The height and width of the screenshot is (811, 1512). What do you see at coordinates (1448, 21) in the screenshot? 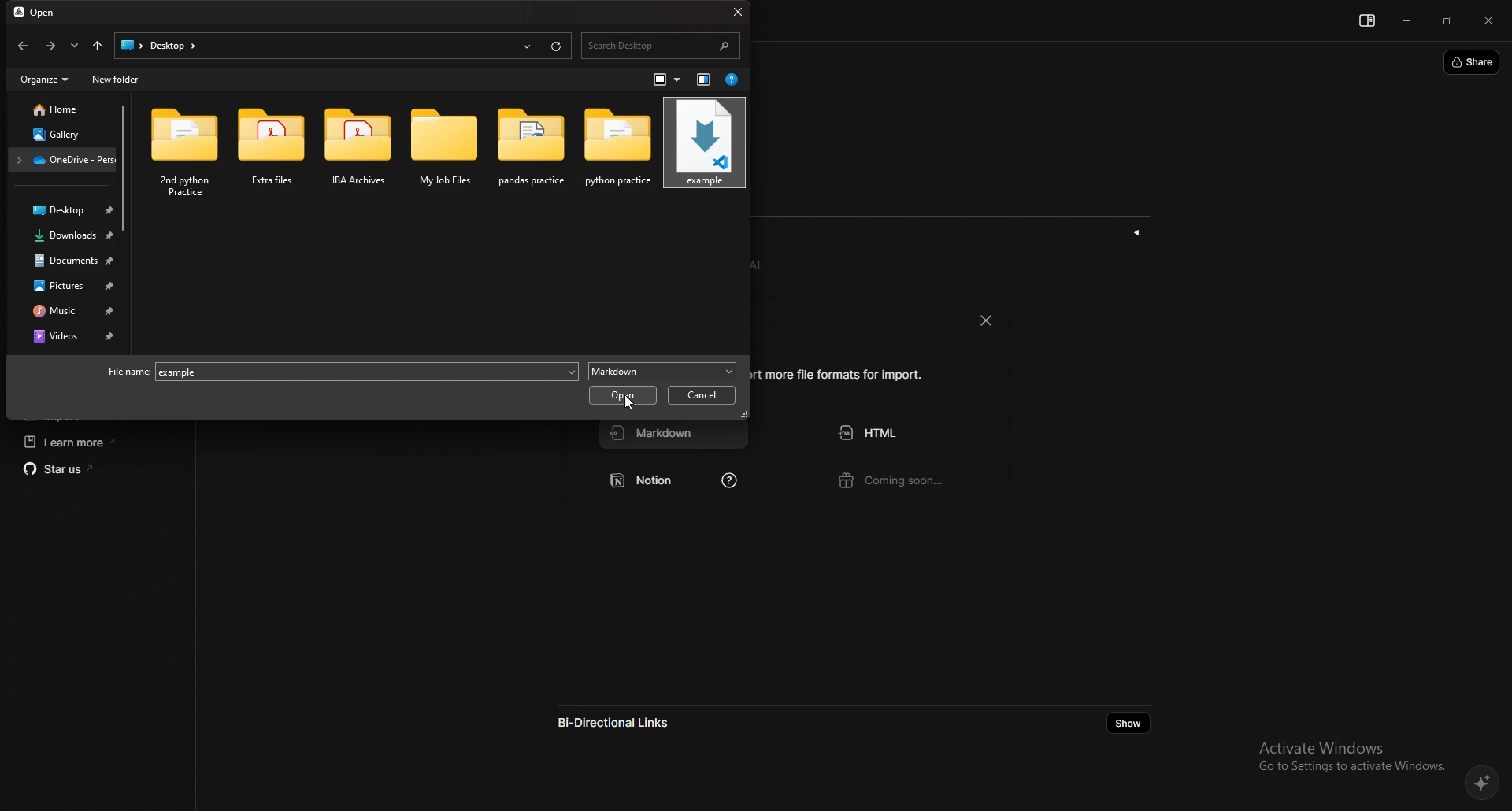
I see `resize` at bounding box center [1448, 21].